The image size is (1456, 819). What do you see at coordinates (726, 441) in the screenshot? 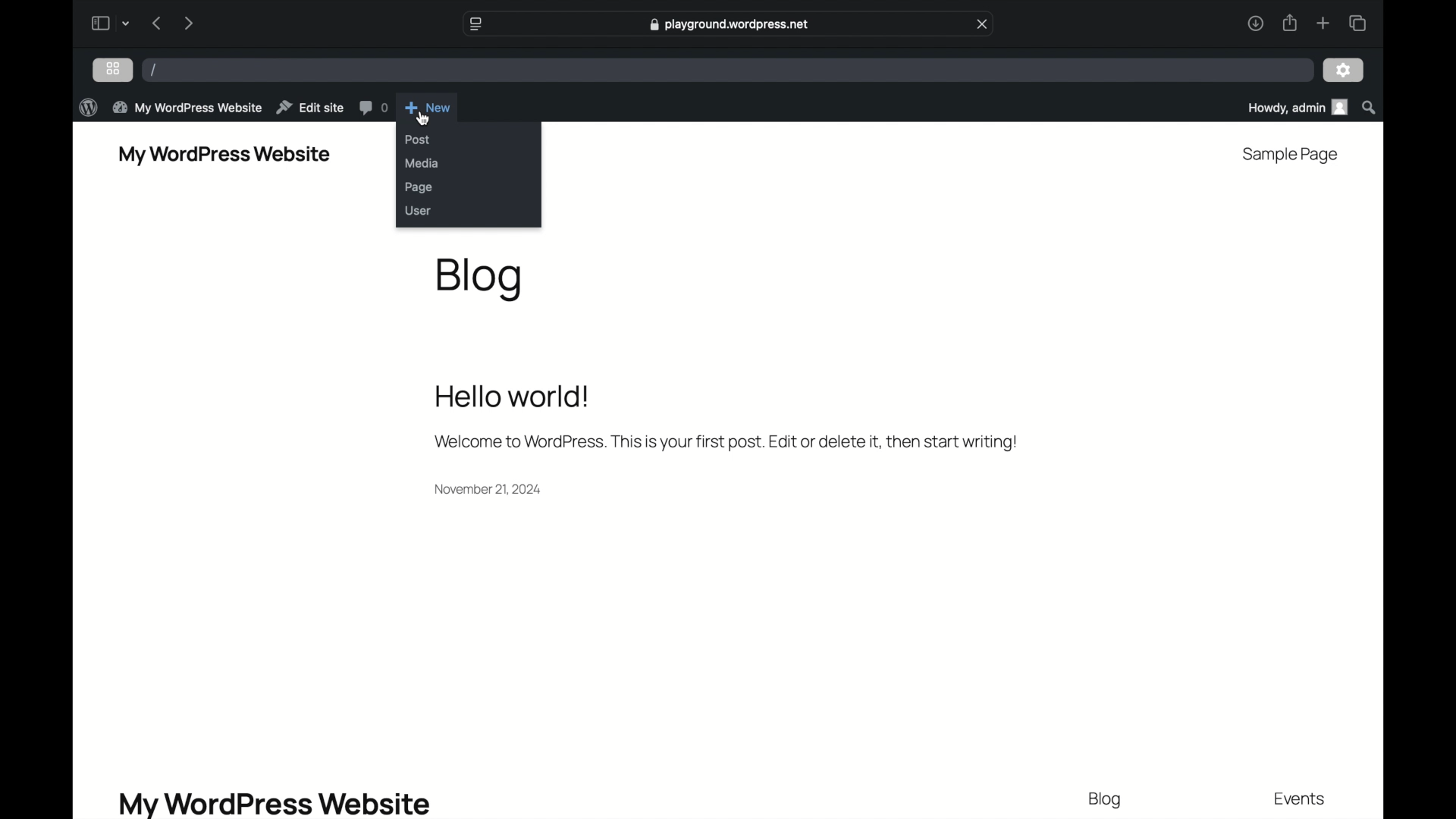
I see `welcome message` at bounding box center [726, 441].